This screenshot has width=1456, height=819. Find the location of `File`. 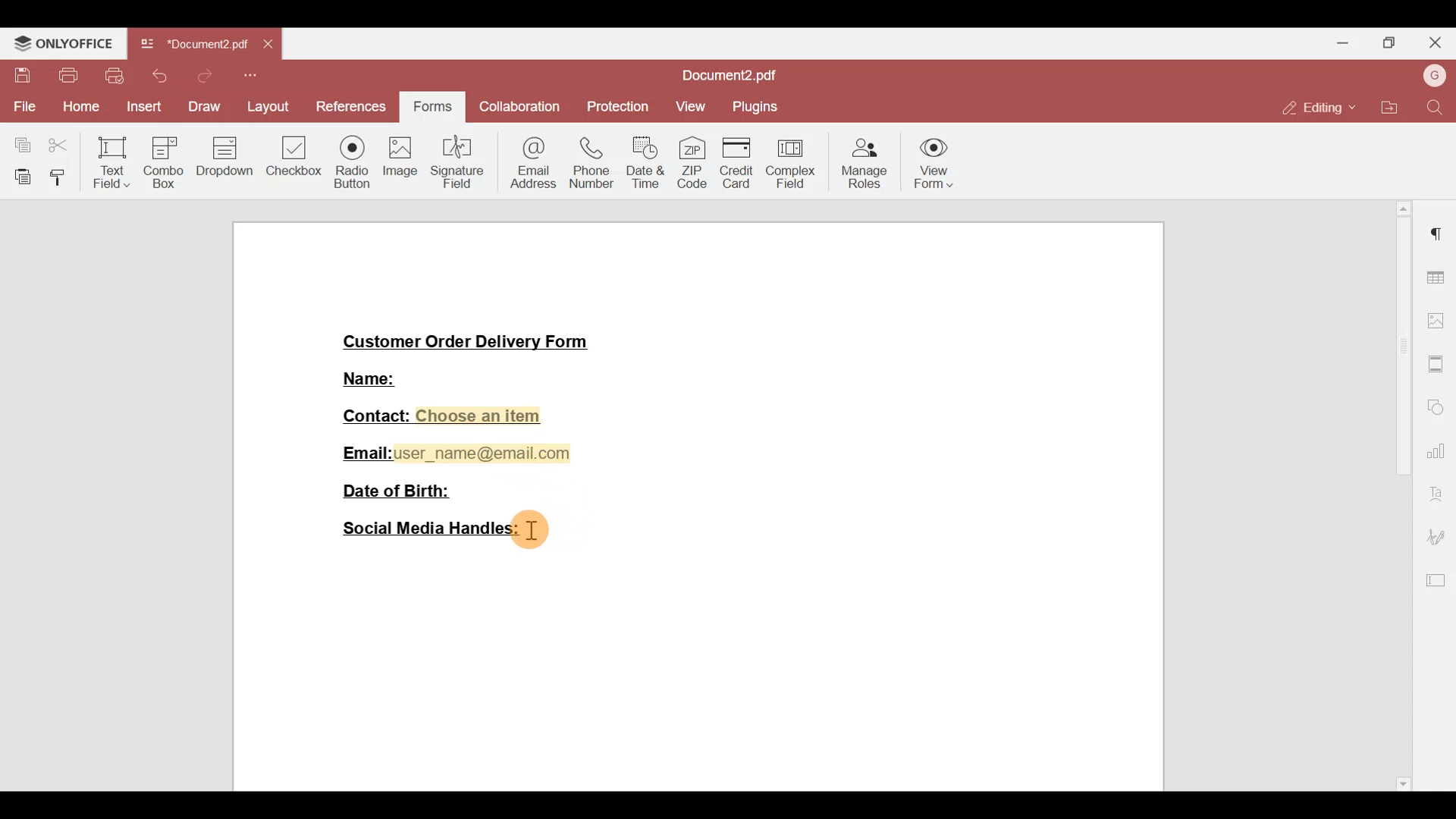

File is located at coordinates (24, 106).